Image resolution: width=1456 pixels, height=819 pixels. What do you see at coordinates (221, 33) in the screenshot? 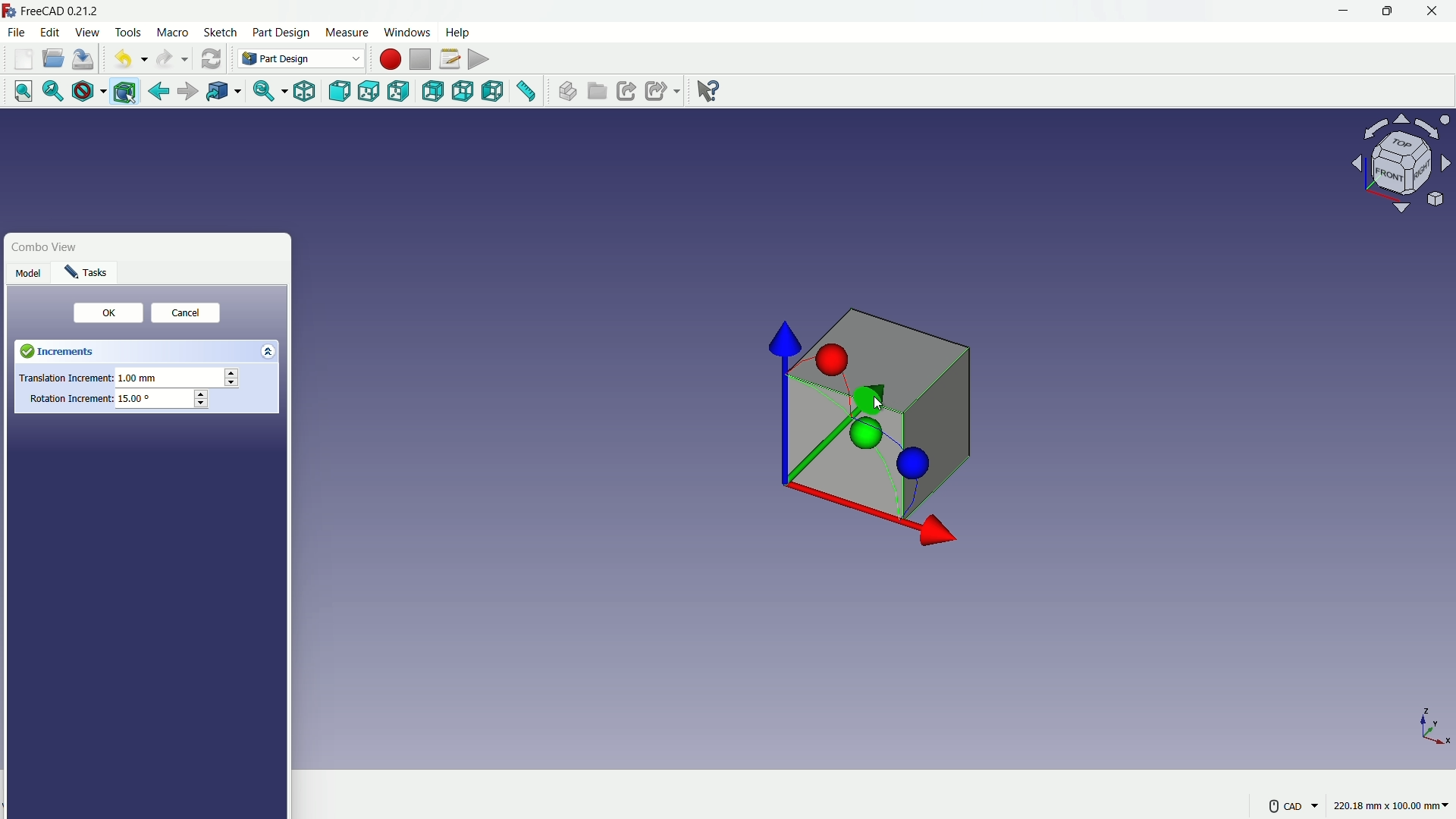
I see `sketch` at bounding box center [221, 33].